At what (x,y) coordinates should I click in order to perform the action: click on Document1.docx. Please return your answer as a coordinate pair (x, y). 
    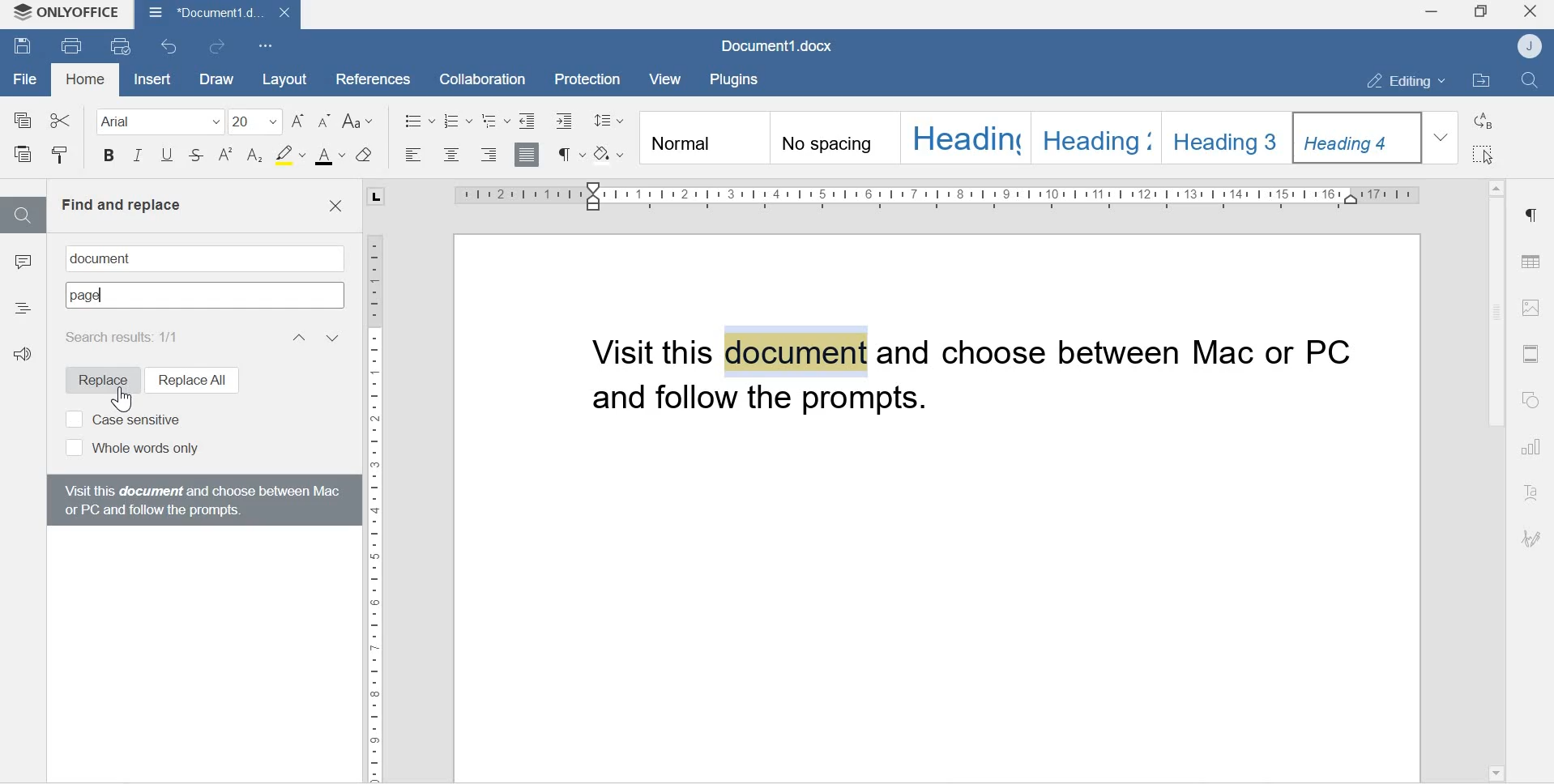
    Looking at the image, I should click on (780, 47).